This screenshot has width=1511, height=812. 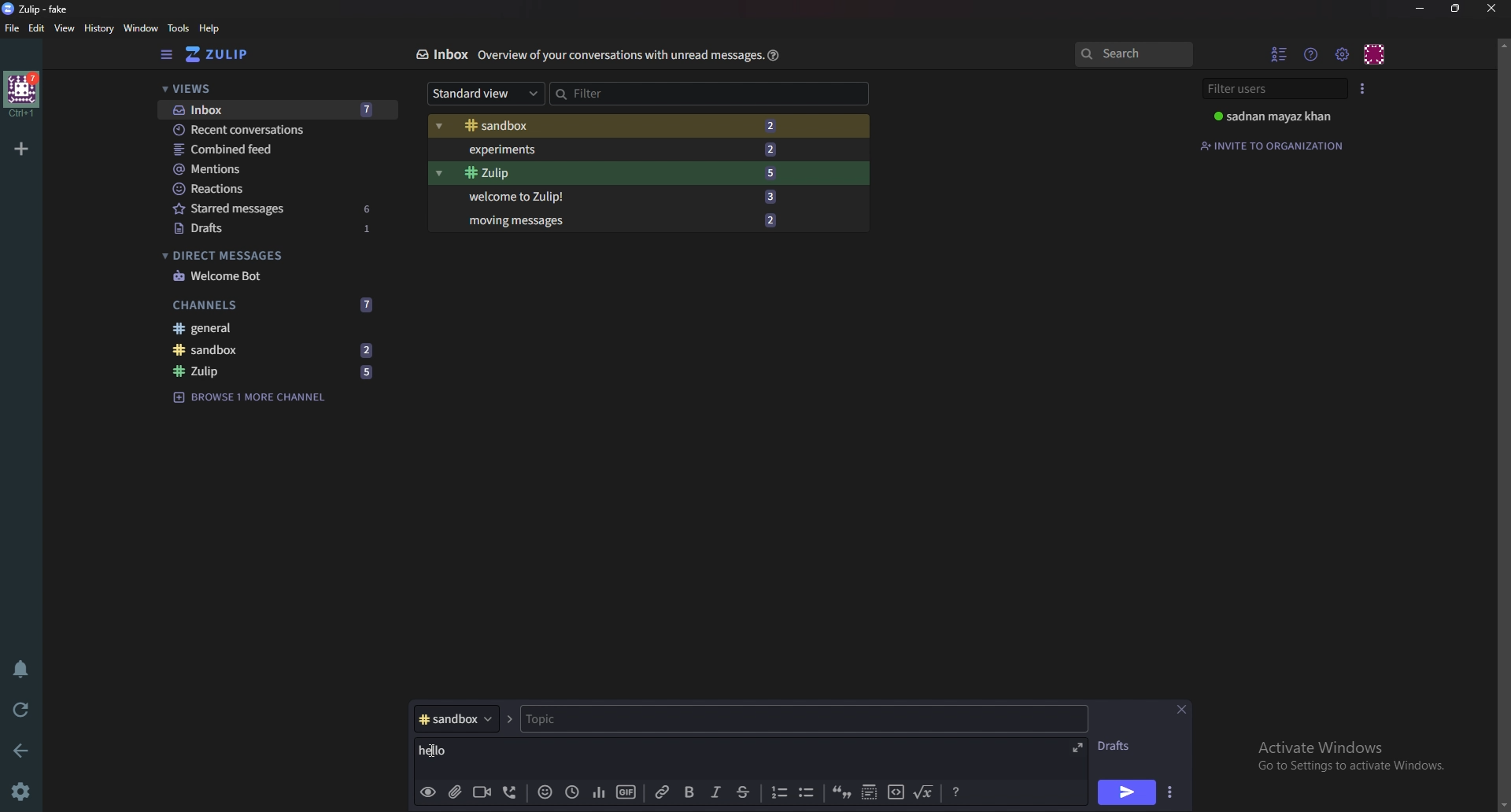 What do you see at coordinates (20, 752) in the screenshot?
I see `back` at bounding box center [20, 752].